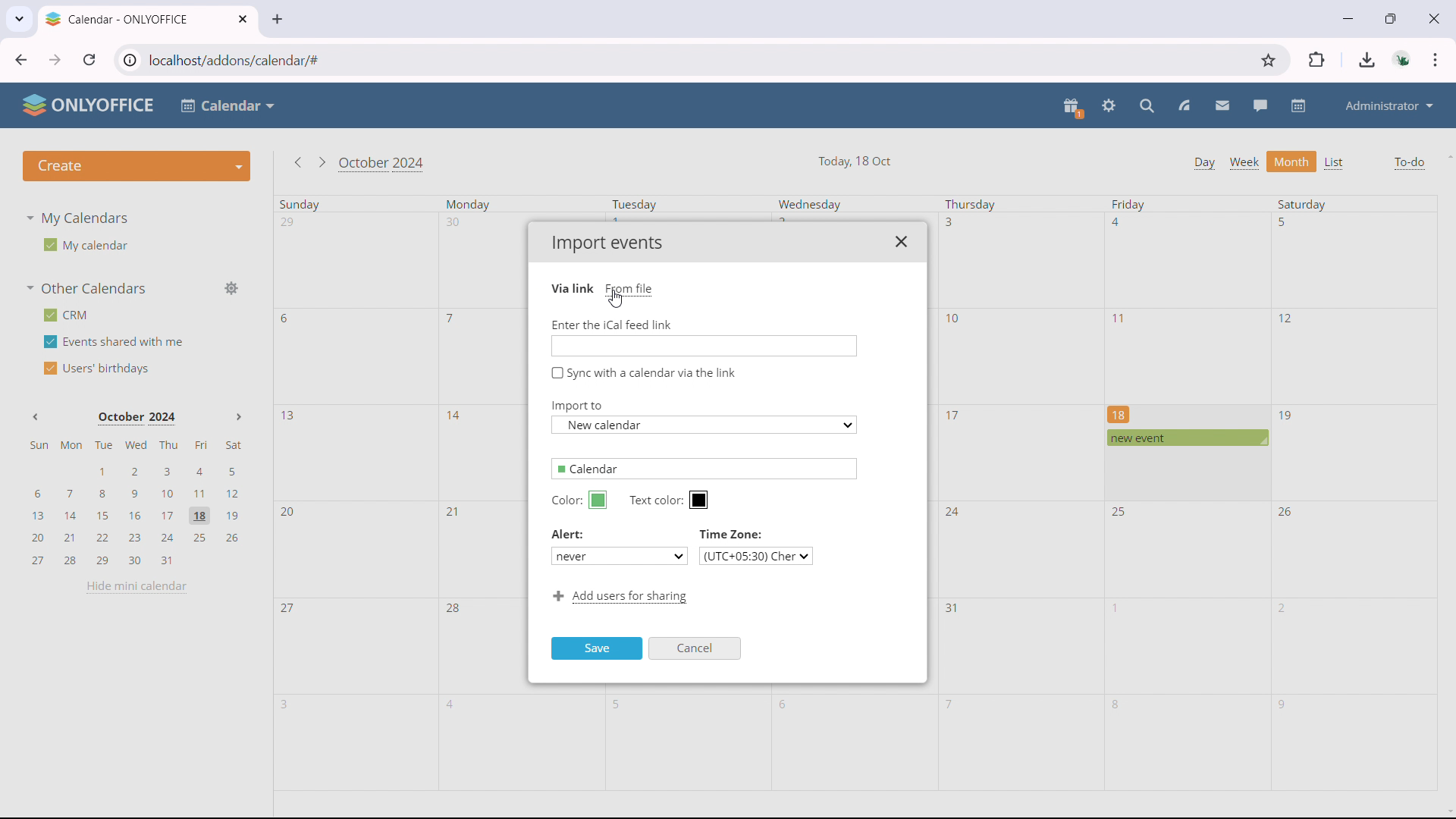  Describe the element at coordinates (1436, 60) in the screenshot. I see `customize & control` at that location.